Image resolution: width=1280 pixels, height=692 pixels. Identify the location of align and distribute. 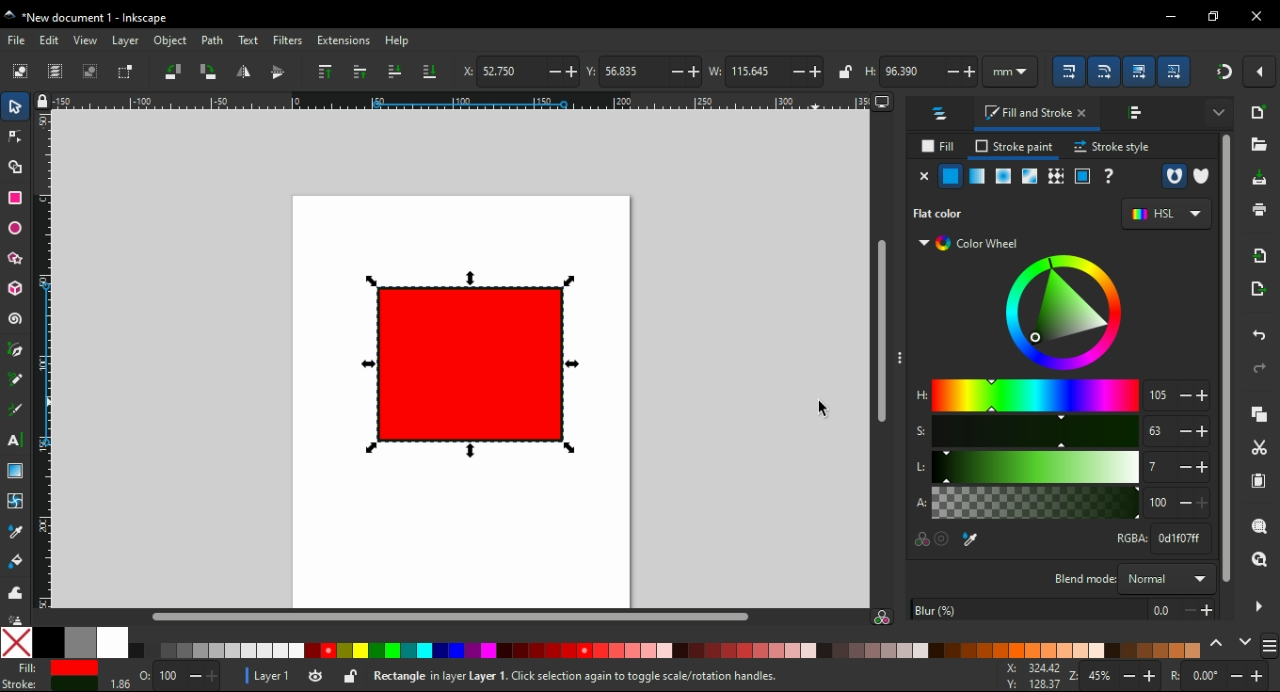
(1137, 114).